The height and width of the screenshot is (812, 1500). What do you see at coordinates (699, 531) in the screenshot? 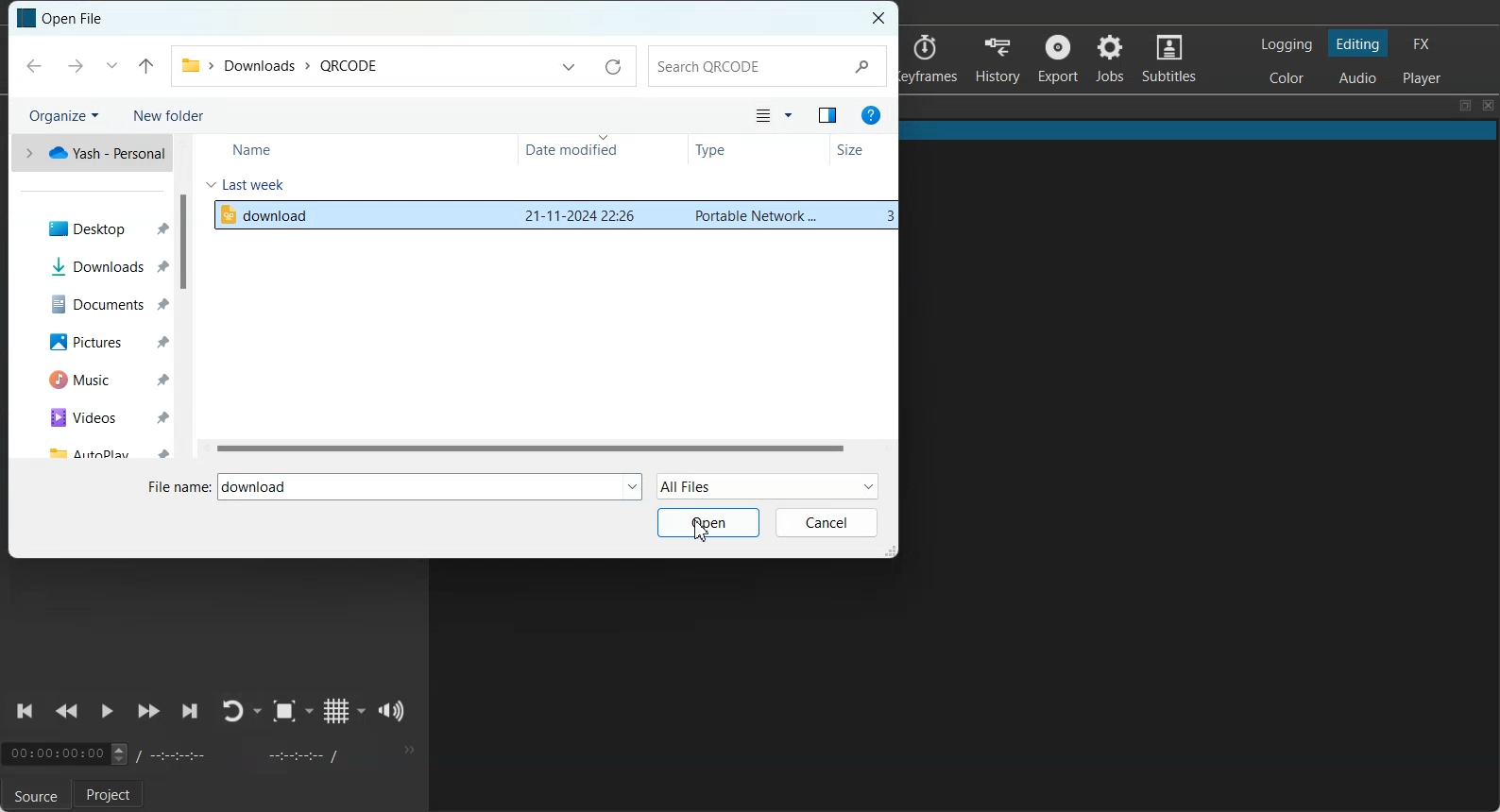
I see `Cursor` at bounding box center [699, 531].